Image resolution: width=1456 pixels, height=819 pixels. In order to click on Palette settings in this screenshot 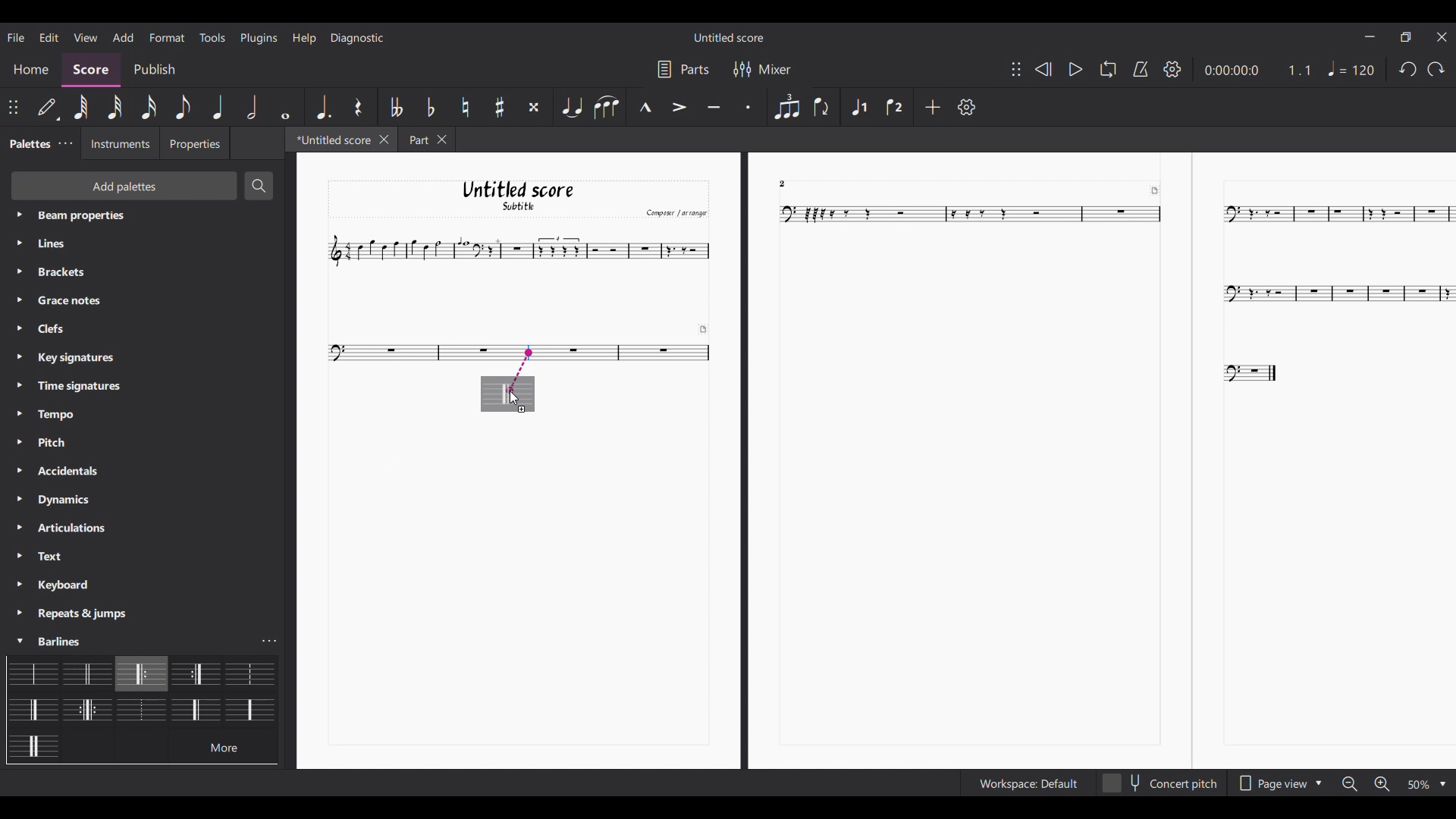, I will do `click(68, 362)`.